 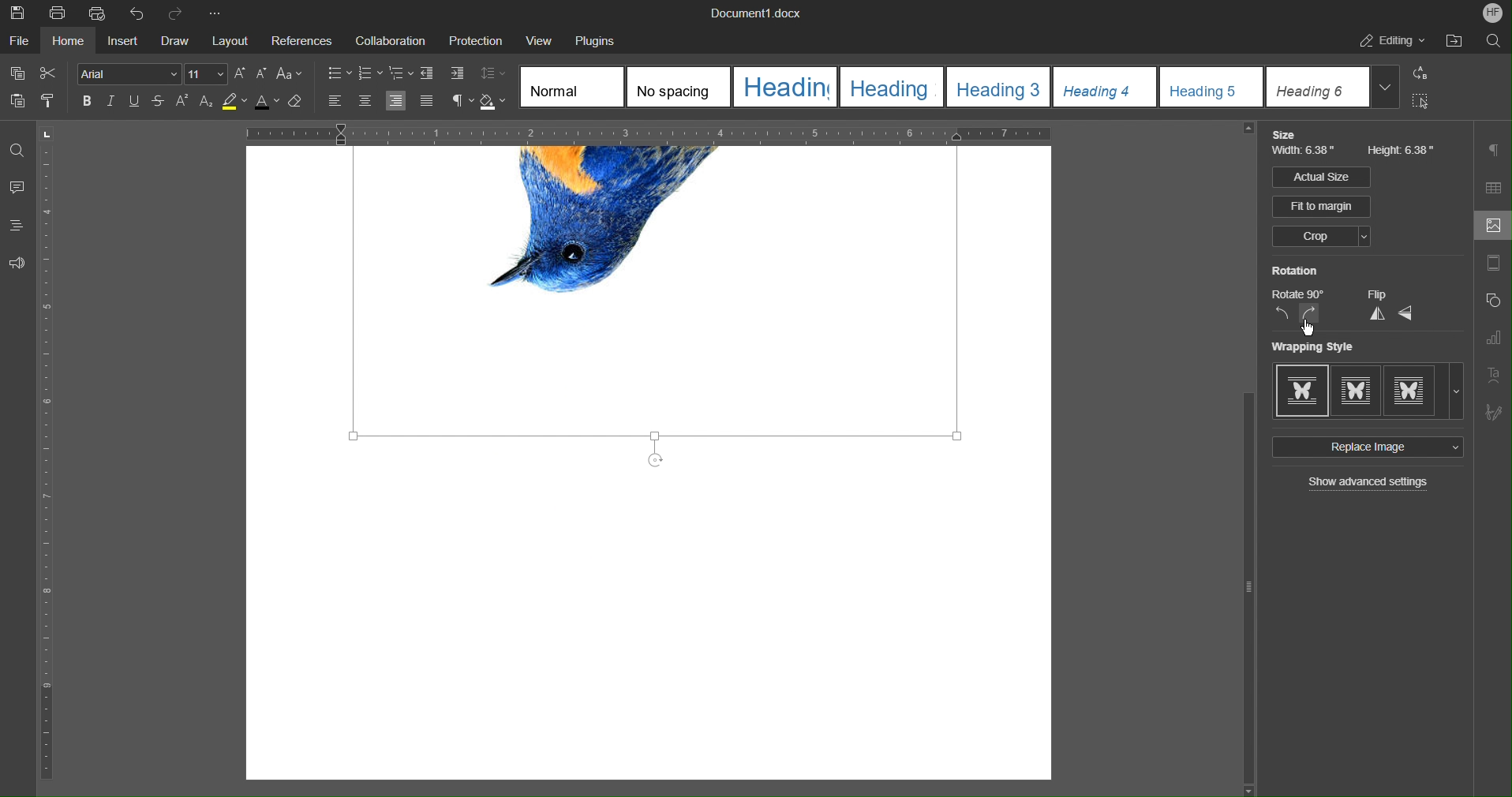 What do you see at coordinates (1494, 12) in the screenshot?
I see `Account` at bounding box center [1494, 12].